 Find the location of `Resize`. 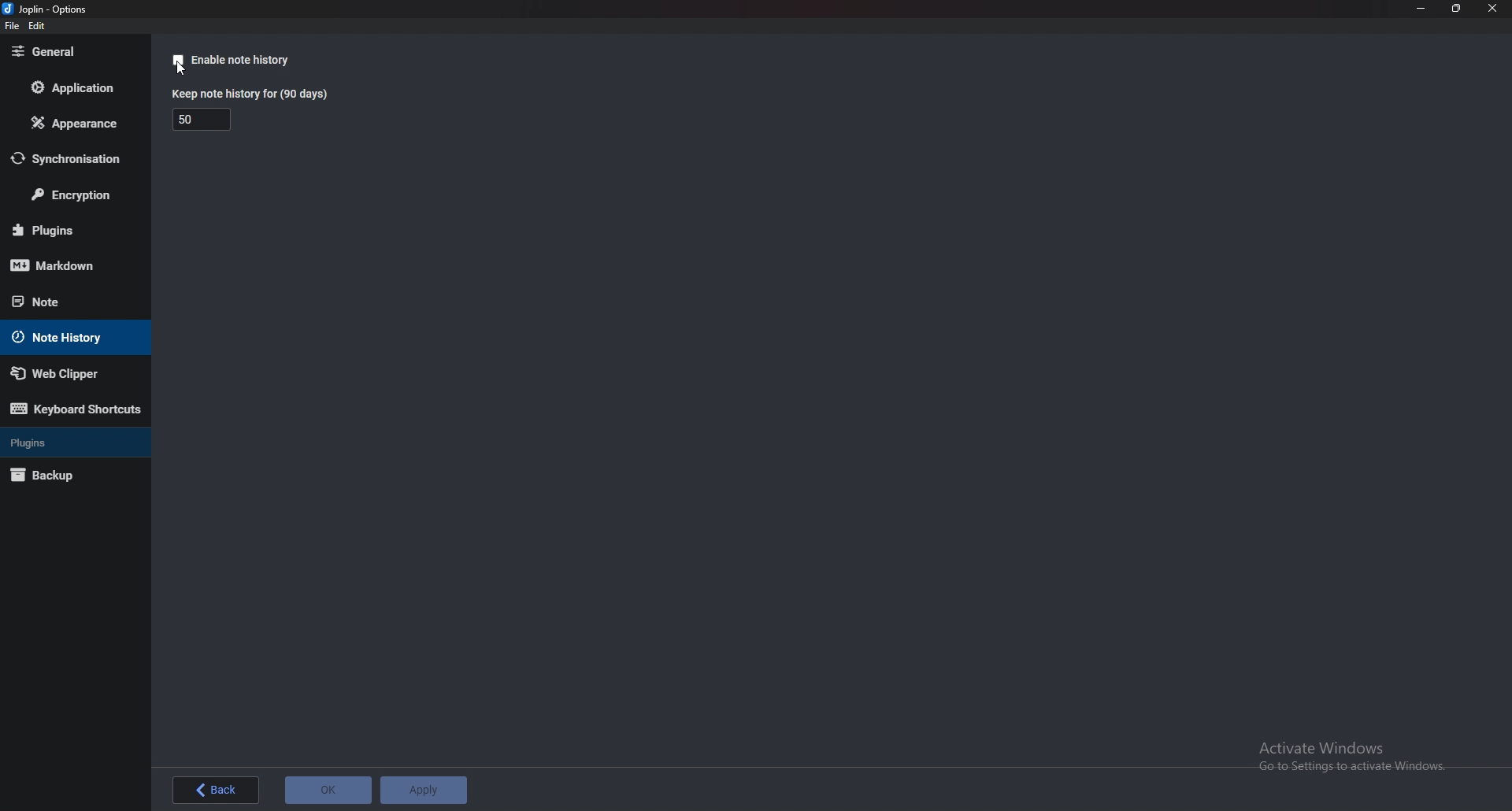

Resize is located at coordinates (1458, 9).